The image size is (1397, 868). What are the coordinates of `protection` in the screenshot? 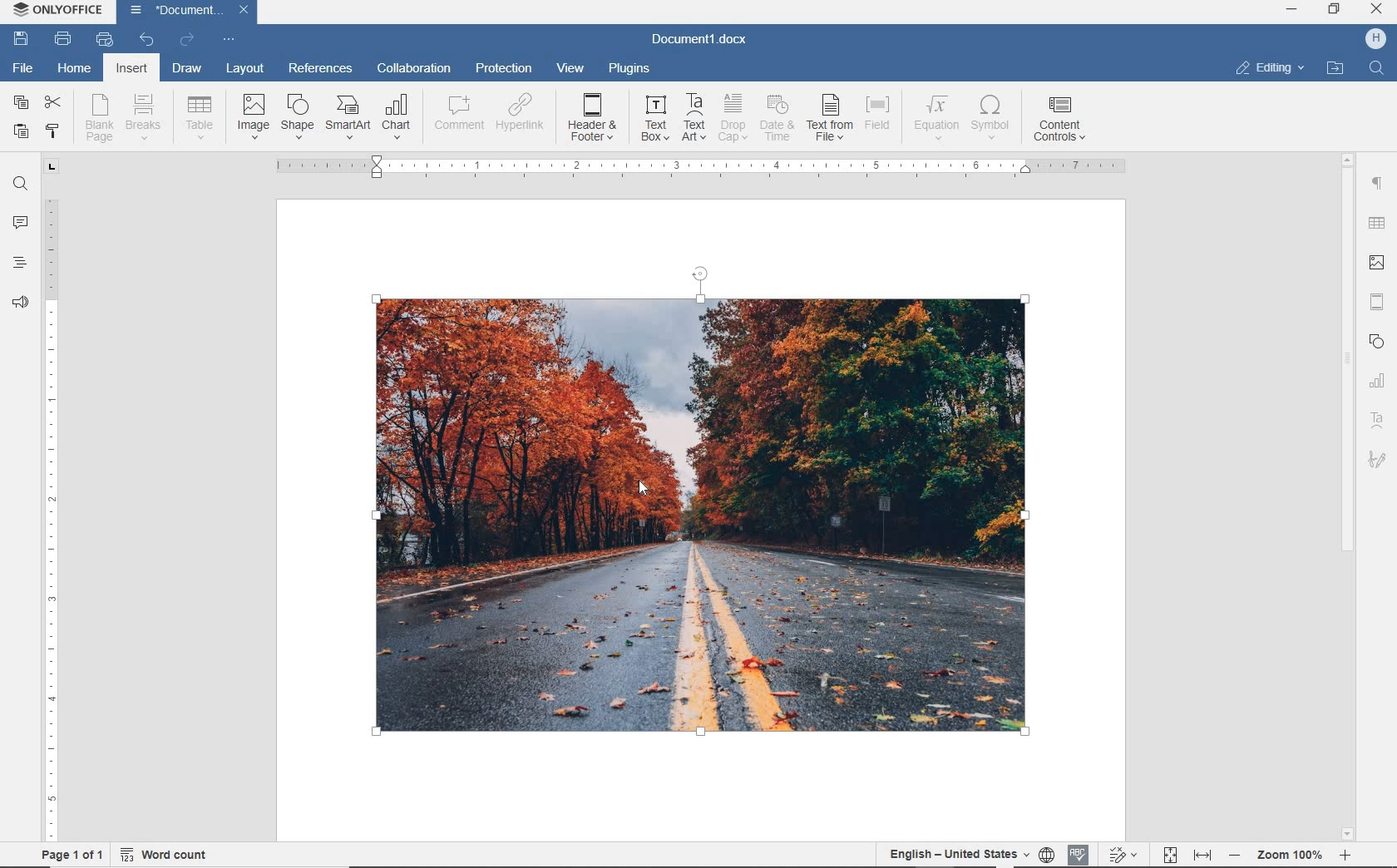 It's located at (505, 72).